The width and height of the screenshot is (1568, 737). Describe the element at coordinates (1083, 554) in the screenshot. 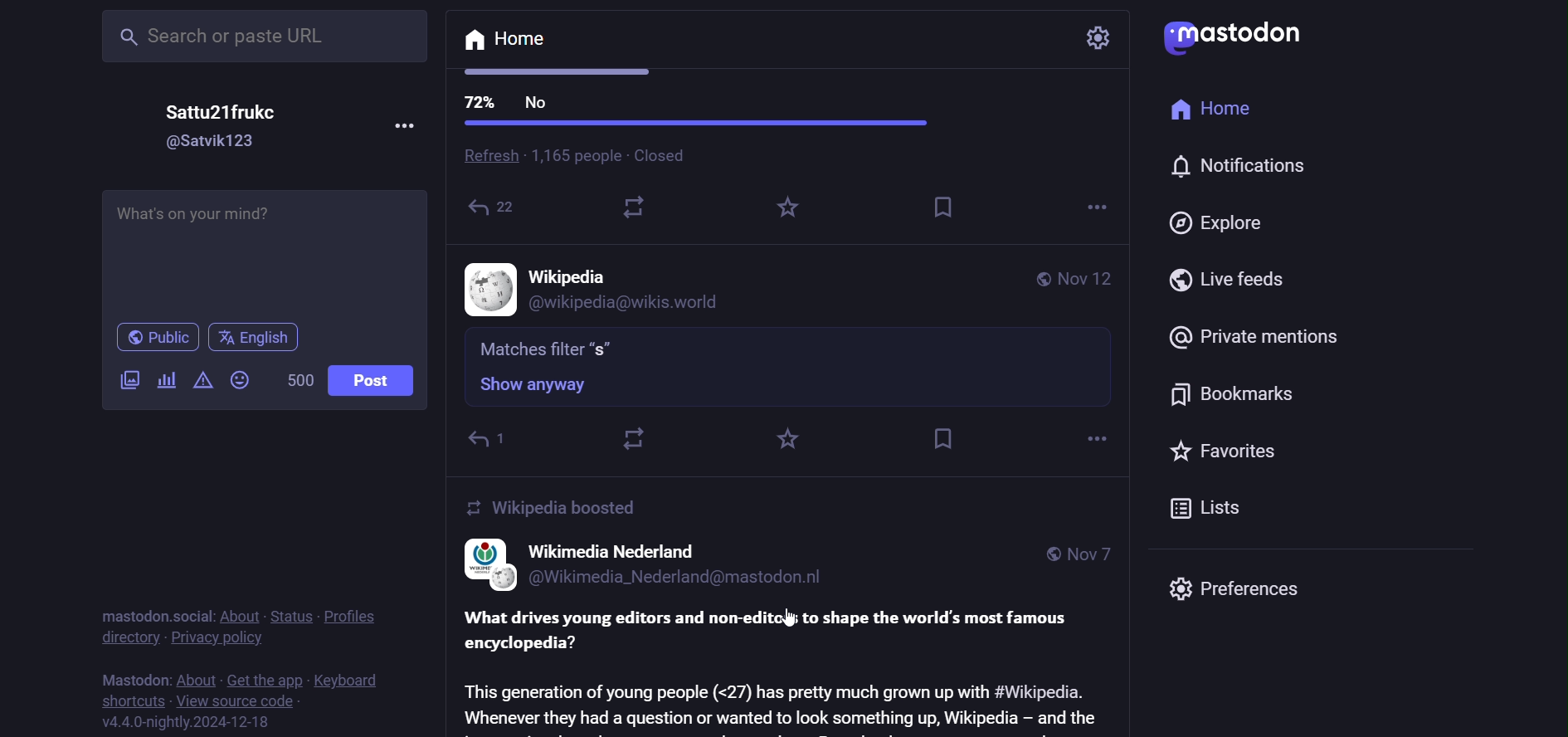

I see `® Nov 7` at that location.